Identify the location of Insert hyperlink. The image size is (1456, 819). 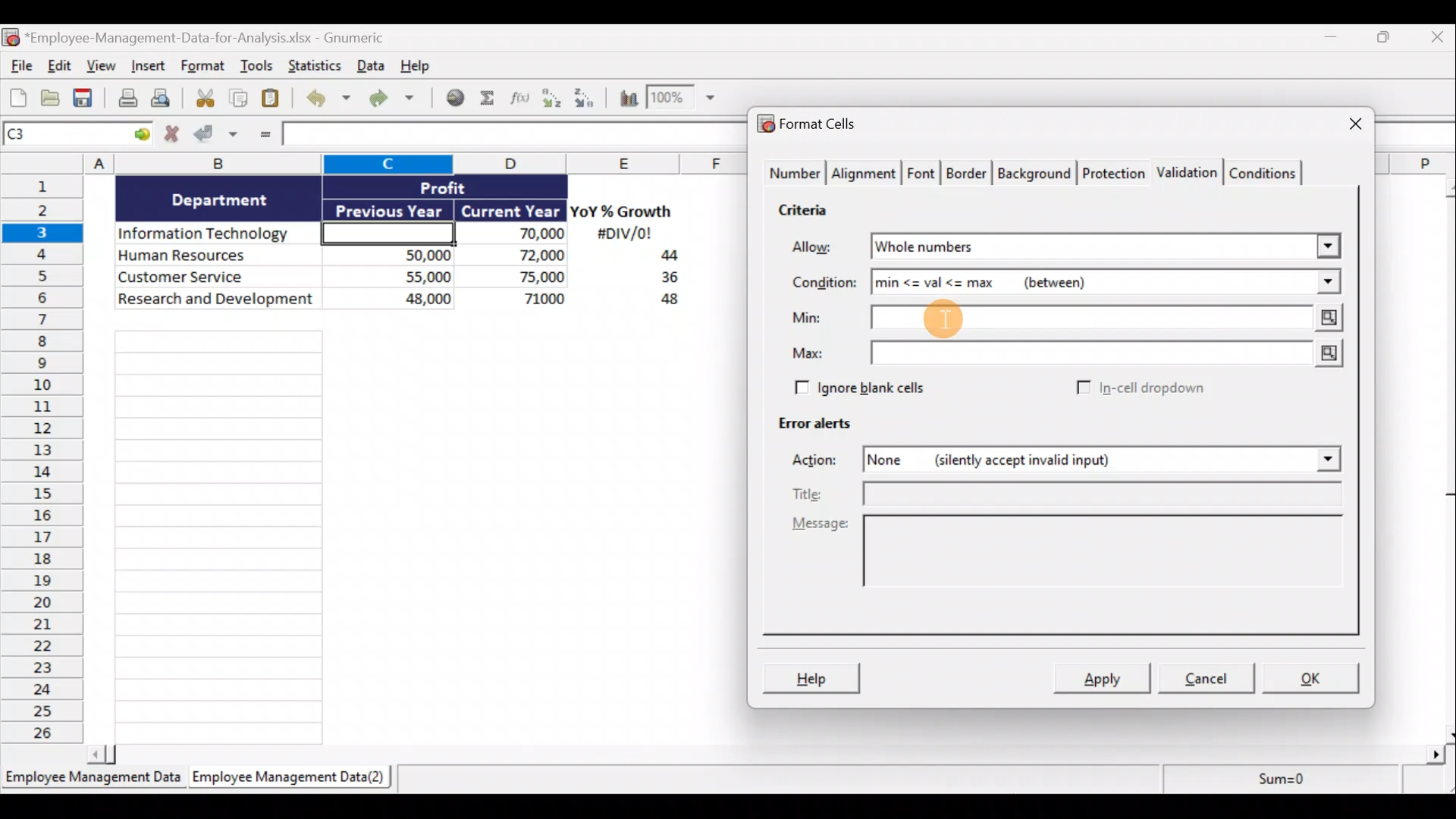
(457, 98).